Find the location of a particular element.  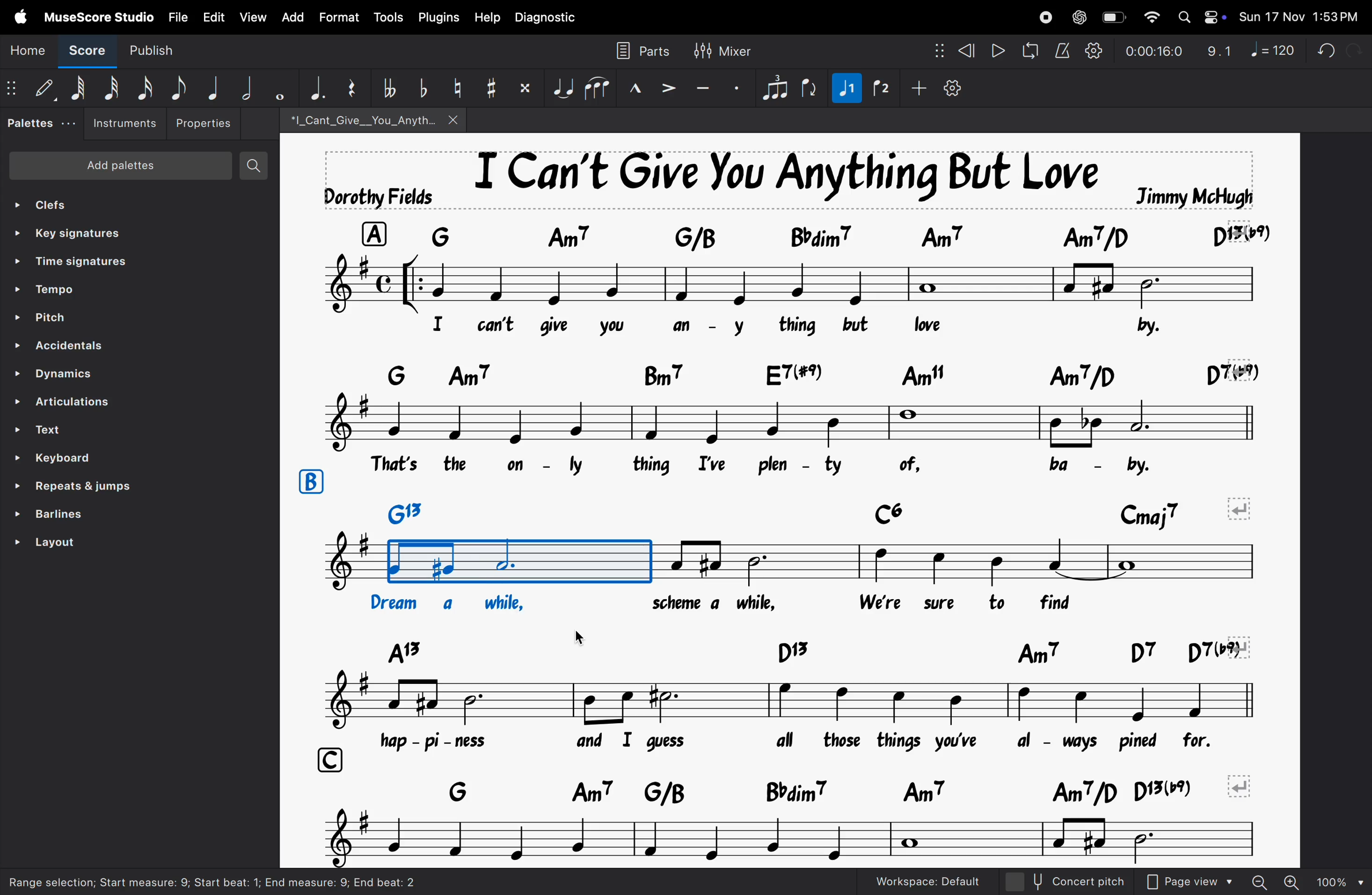

song title is located at coordinates (789, 180).